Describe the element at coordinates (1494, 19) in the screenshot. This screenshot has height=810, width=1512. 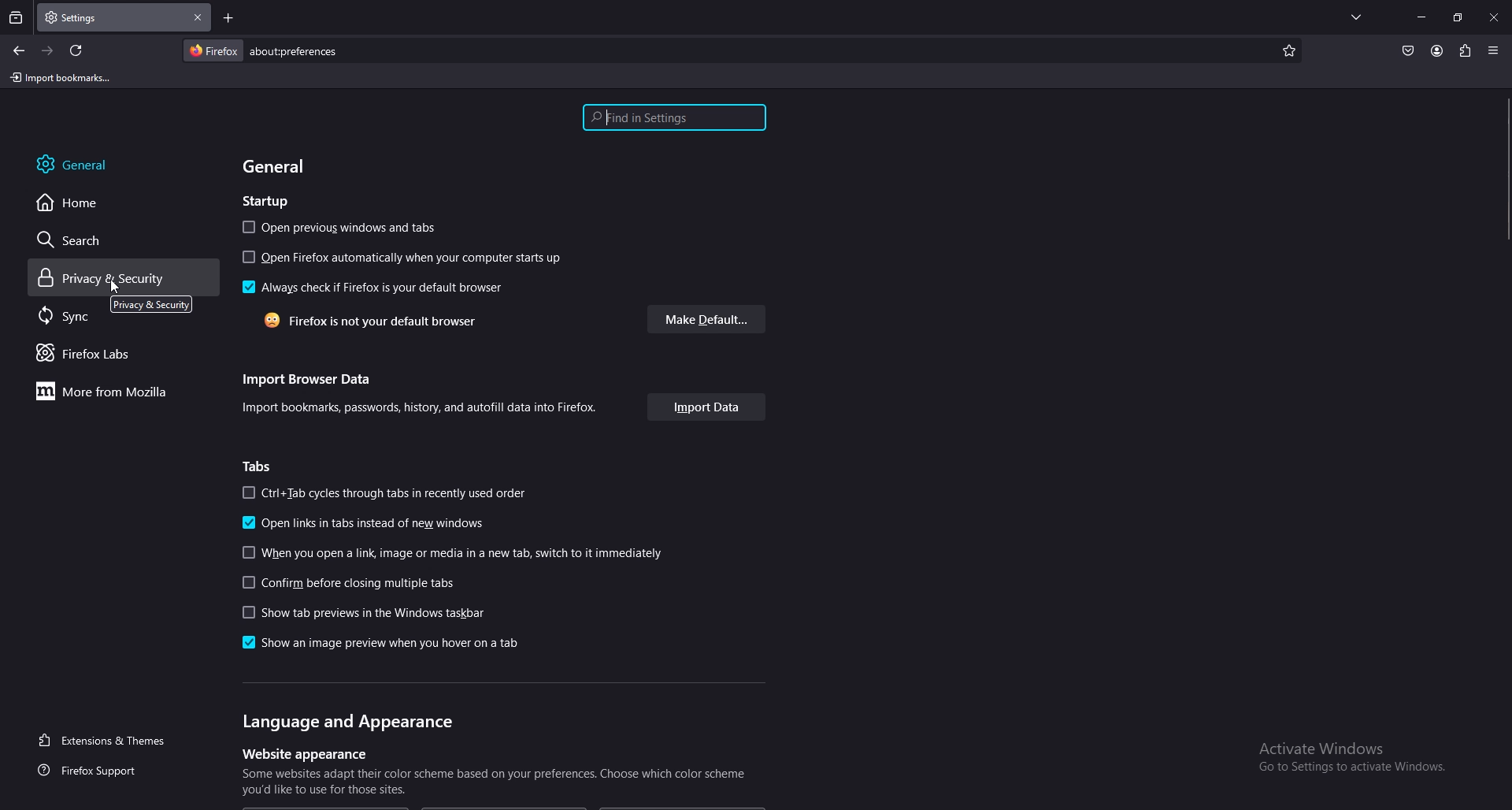
I see `close` at that location.